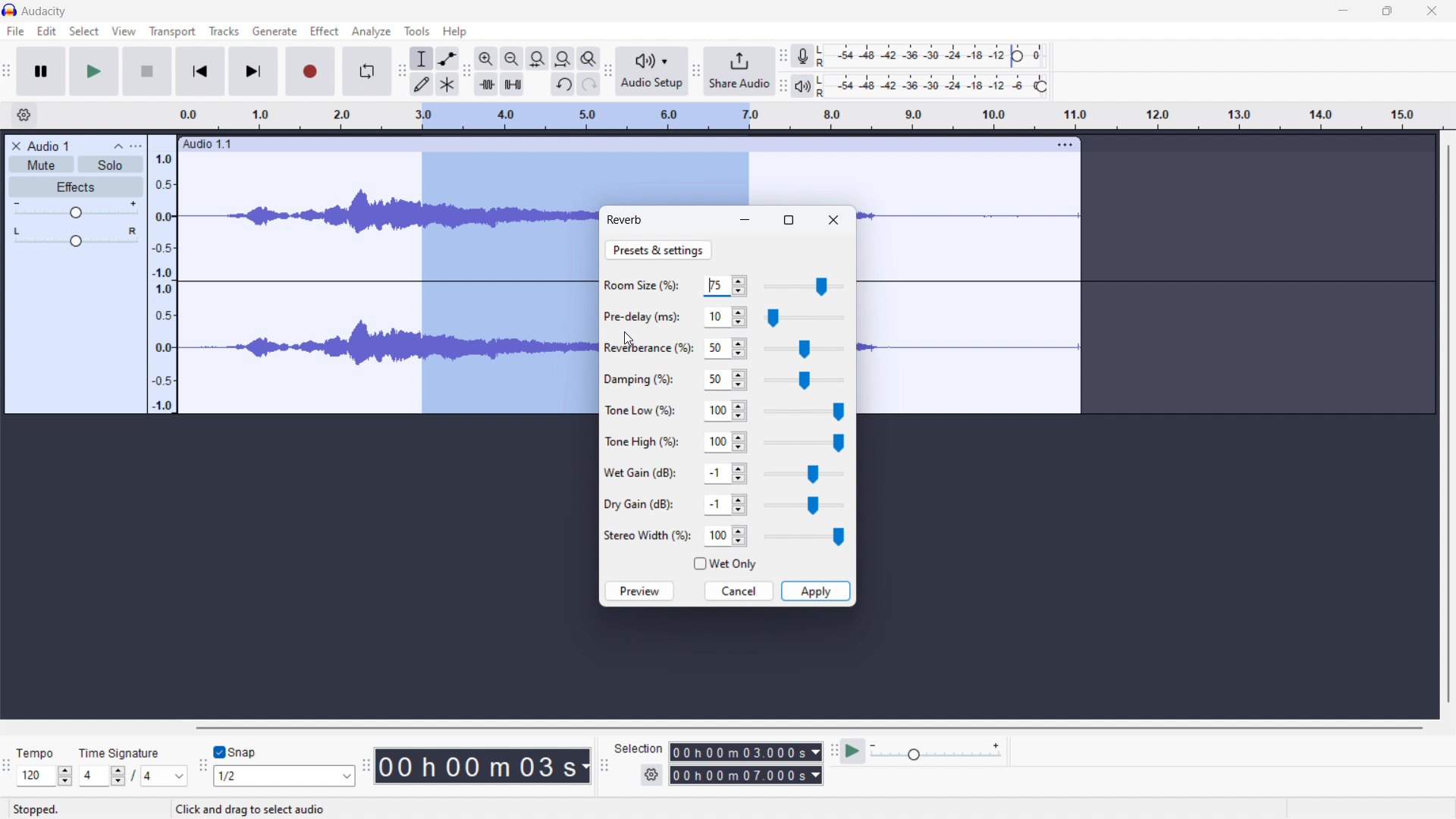 The image size is (1456, 819). I want to click on Pre-delay (ms):, so click(642, 318).